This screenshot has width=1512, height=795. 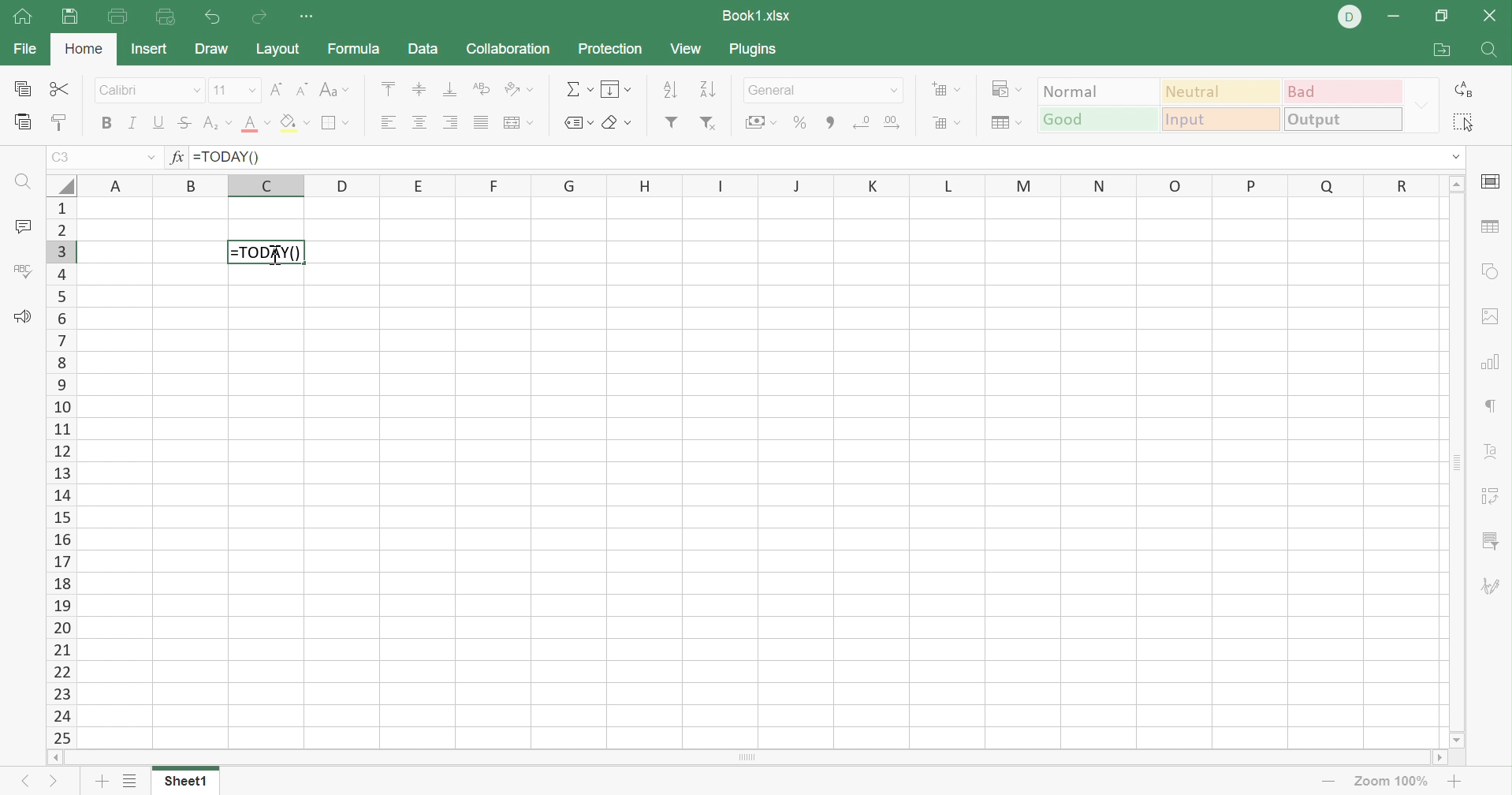 What do you see at coordinates (1004, 125) in the screenshot?
I see `Format table as template` at bounding box center [1004, 125].